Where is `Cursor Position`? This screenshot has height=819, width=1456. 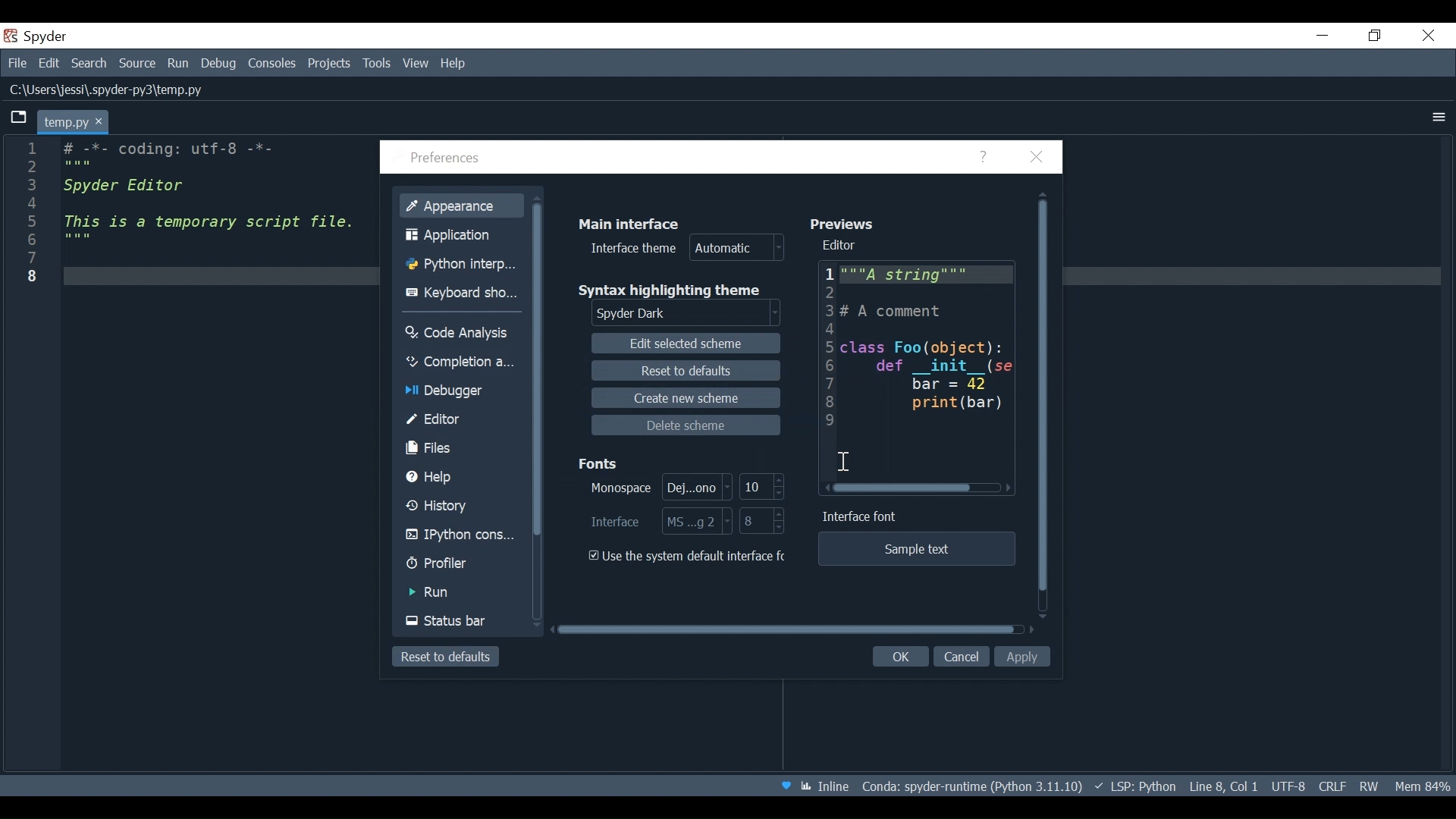
Cursor Position is located at coordinates (1223, 786).